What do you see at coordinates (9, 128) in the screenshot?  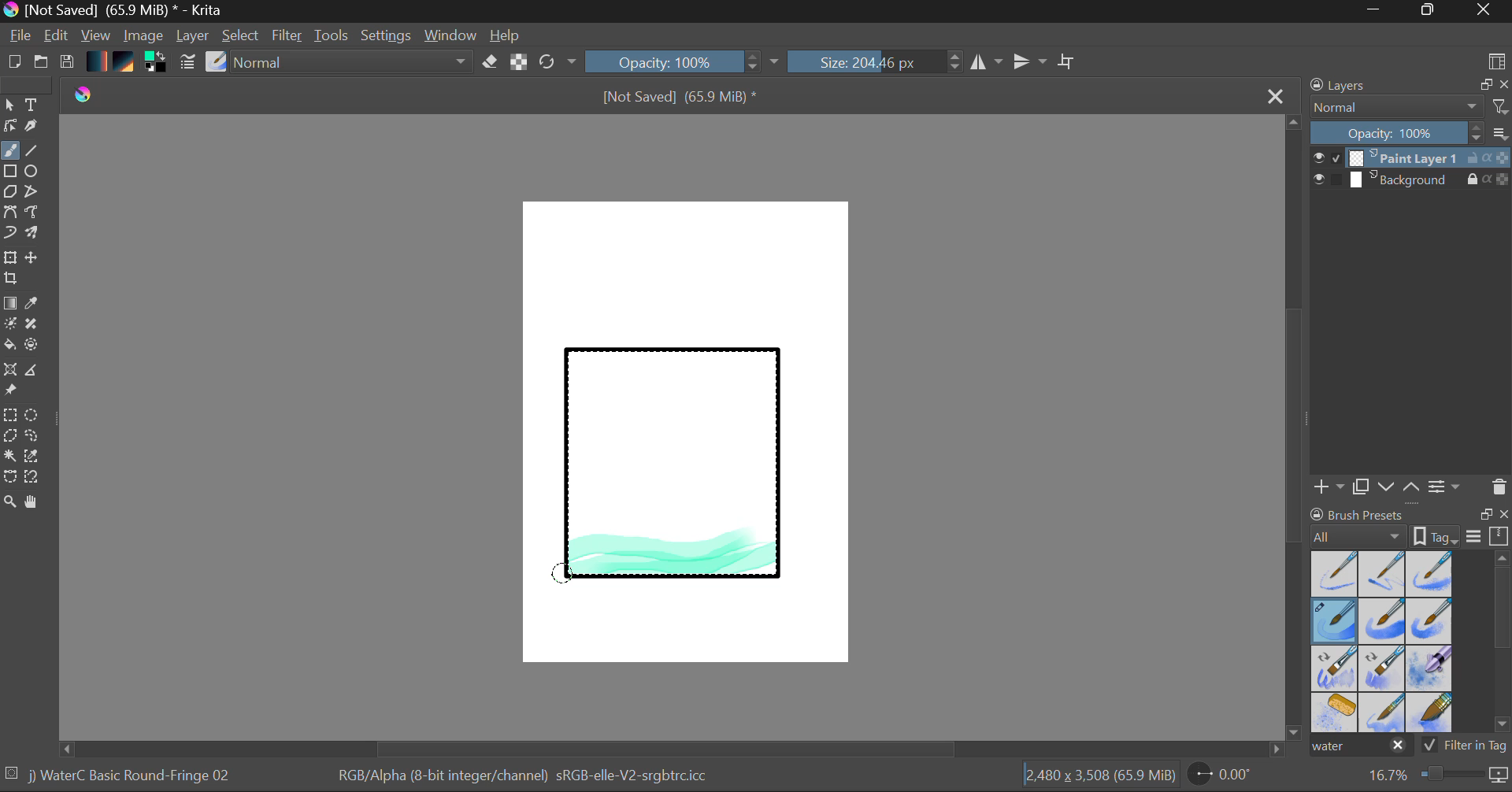 I see `Edit Shapes` at bounding box center [9, 128].